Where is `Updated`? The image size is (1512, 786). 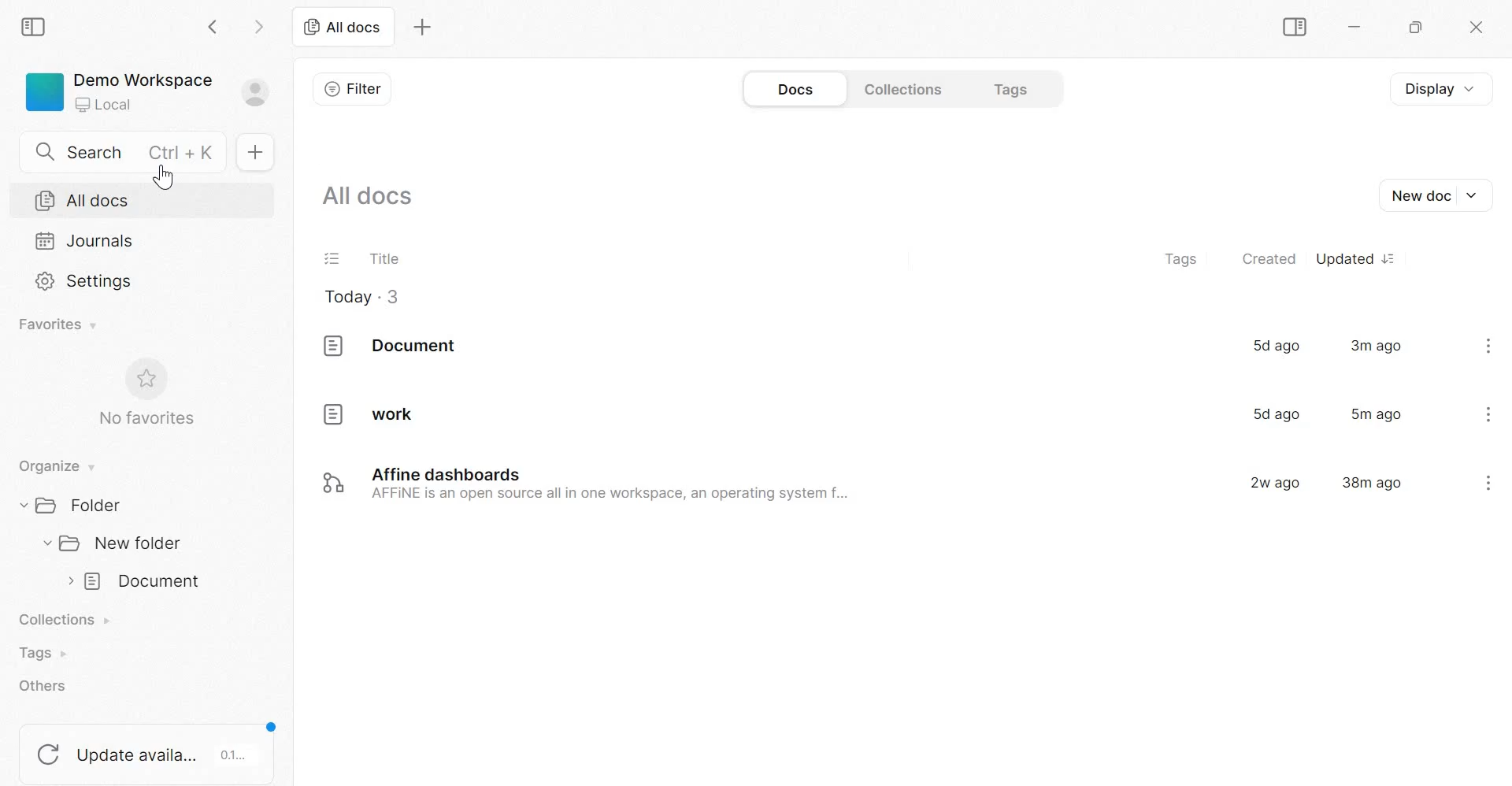
Updated is located at coordinates (1354, 258).